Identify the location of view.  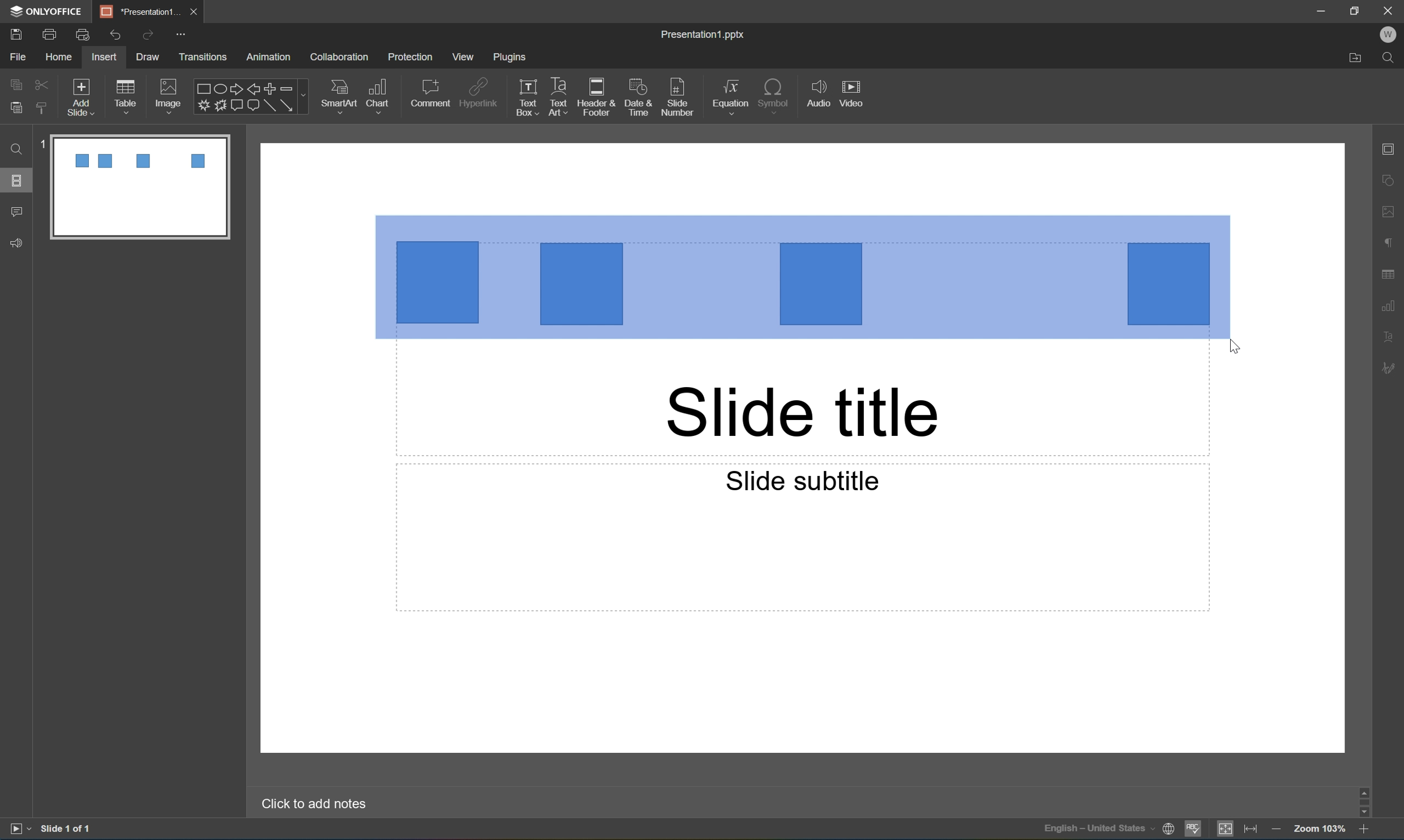
(461, 57).